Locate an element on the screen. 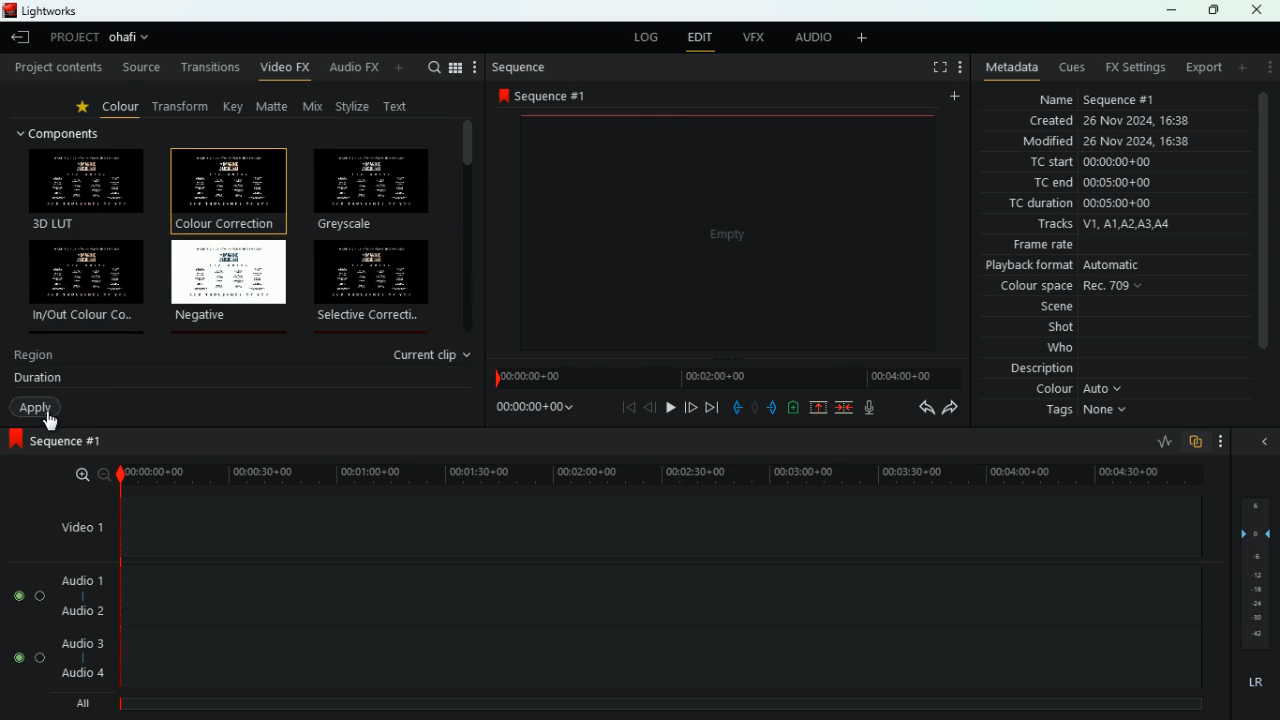 This screenshot has height=720, width=1280. mix is located at coordinates (315, 107).